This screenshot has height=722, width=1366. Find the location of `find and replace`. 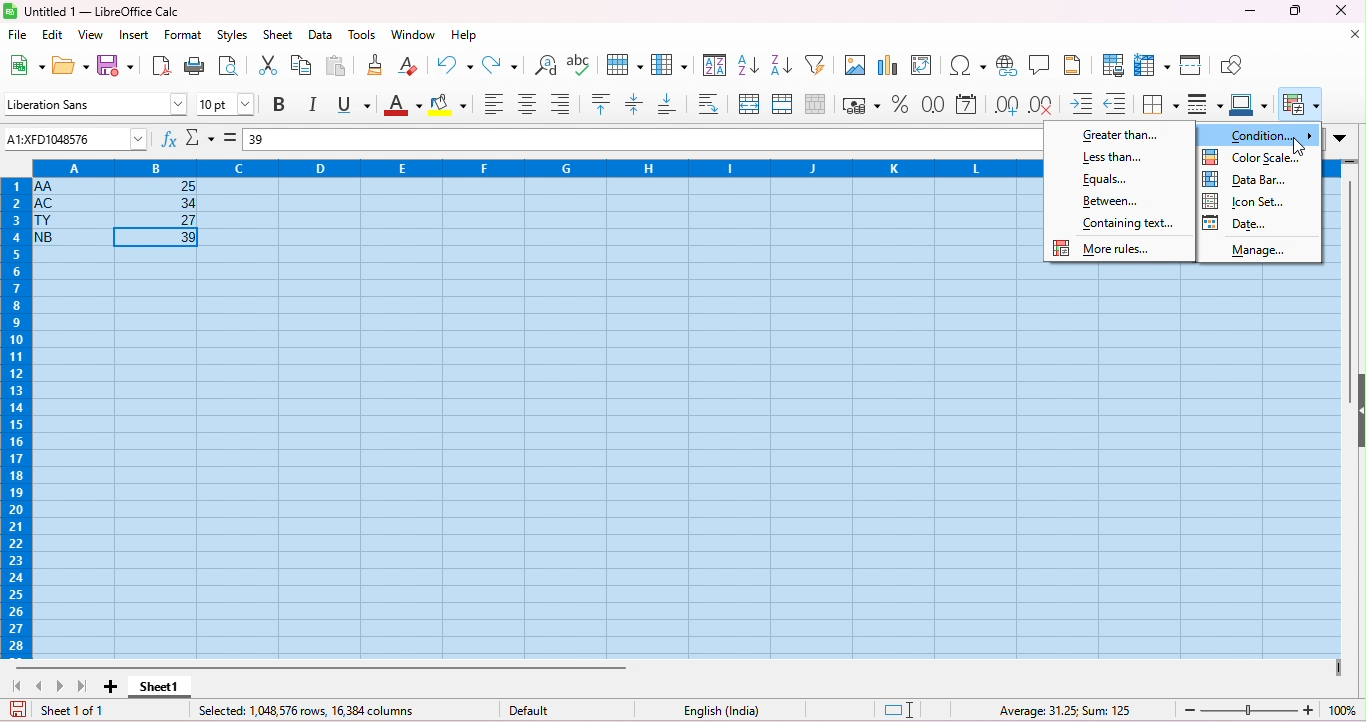

find and replace is located at coordinates (546, 65).